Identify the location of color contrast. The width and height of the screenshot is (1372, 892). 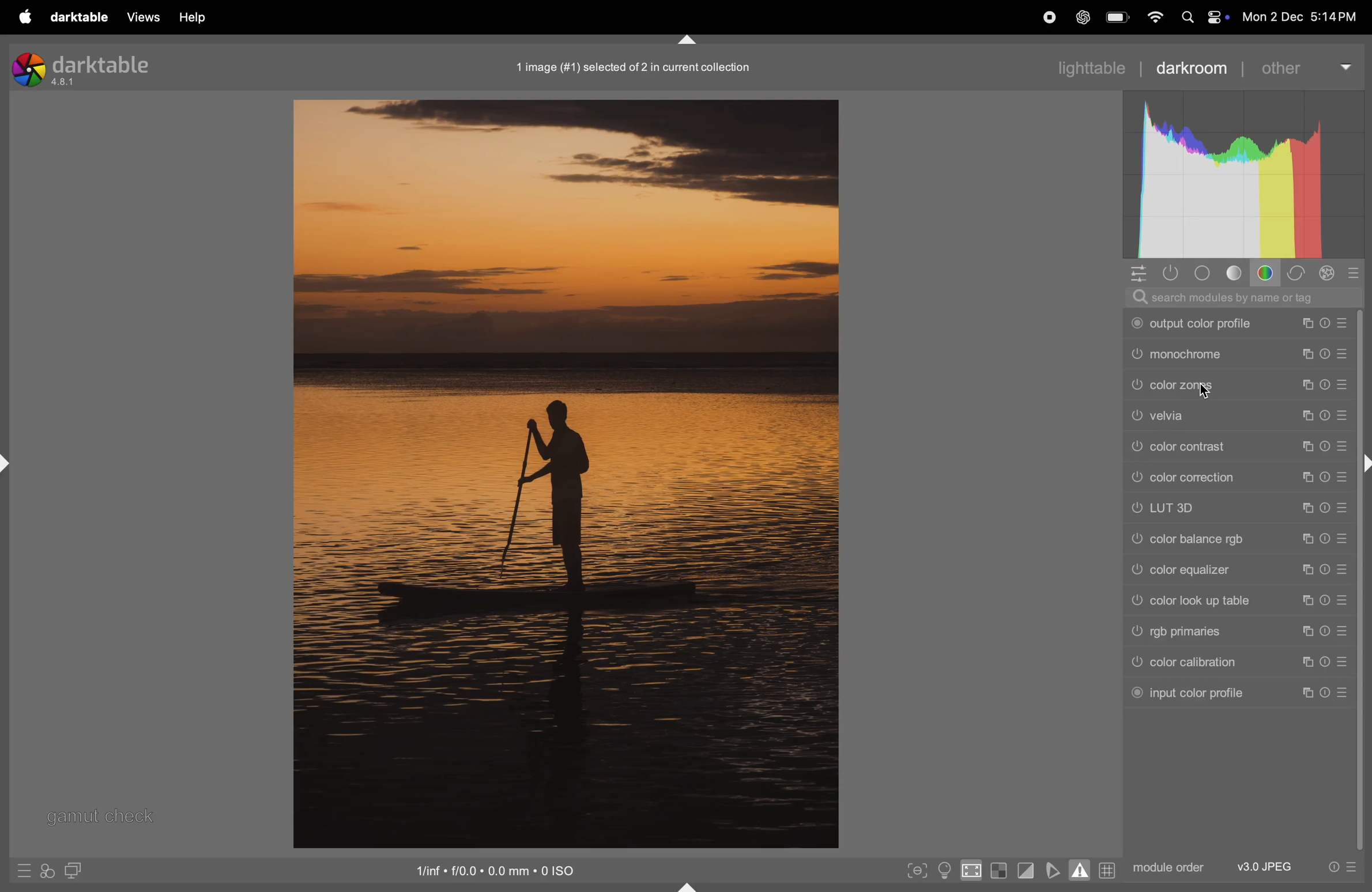
(1200, 445).